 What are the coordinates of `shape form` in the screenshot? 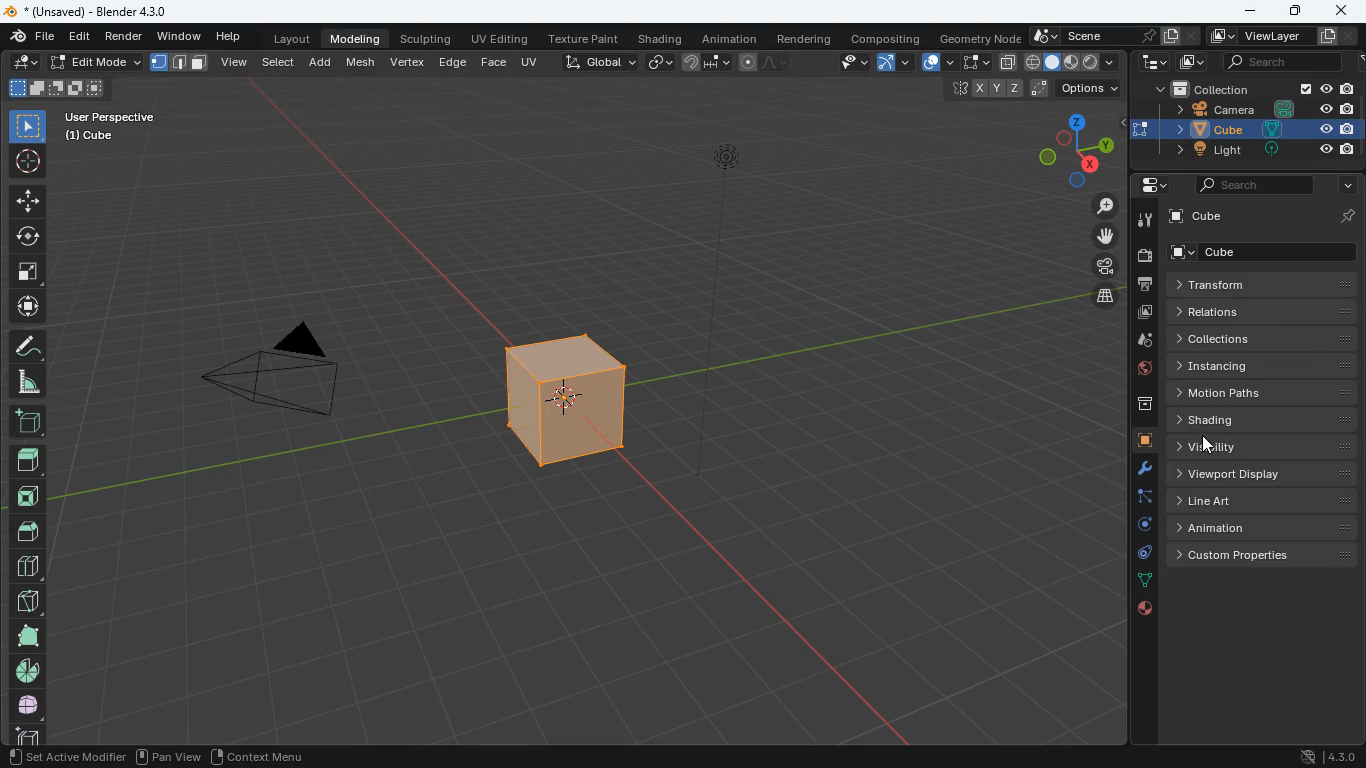 It's located at (55, 89).